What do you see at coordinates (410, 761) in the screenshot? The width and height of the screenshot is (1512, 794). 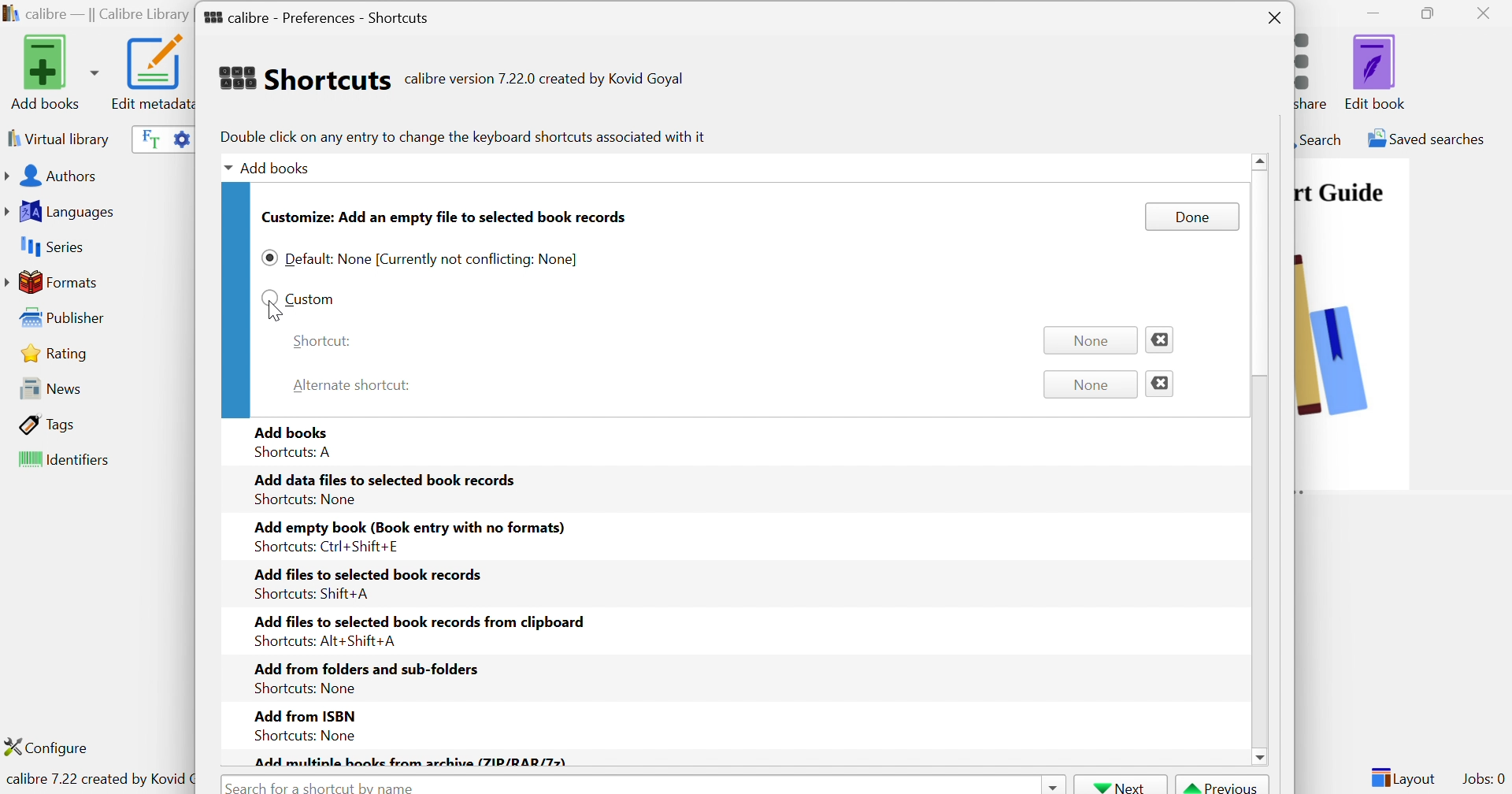 I see `Add multiple books from archive (ZIP/RAR/Z)` at bounding box center [410, 761].